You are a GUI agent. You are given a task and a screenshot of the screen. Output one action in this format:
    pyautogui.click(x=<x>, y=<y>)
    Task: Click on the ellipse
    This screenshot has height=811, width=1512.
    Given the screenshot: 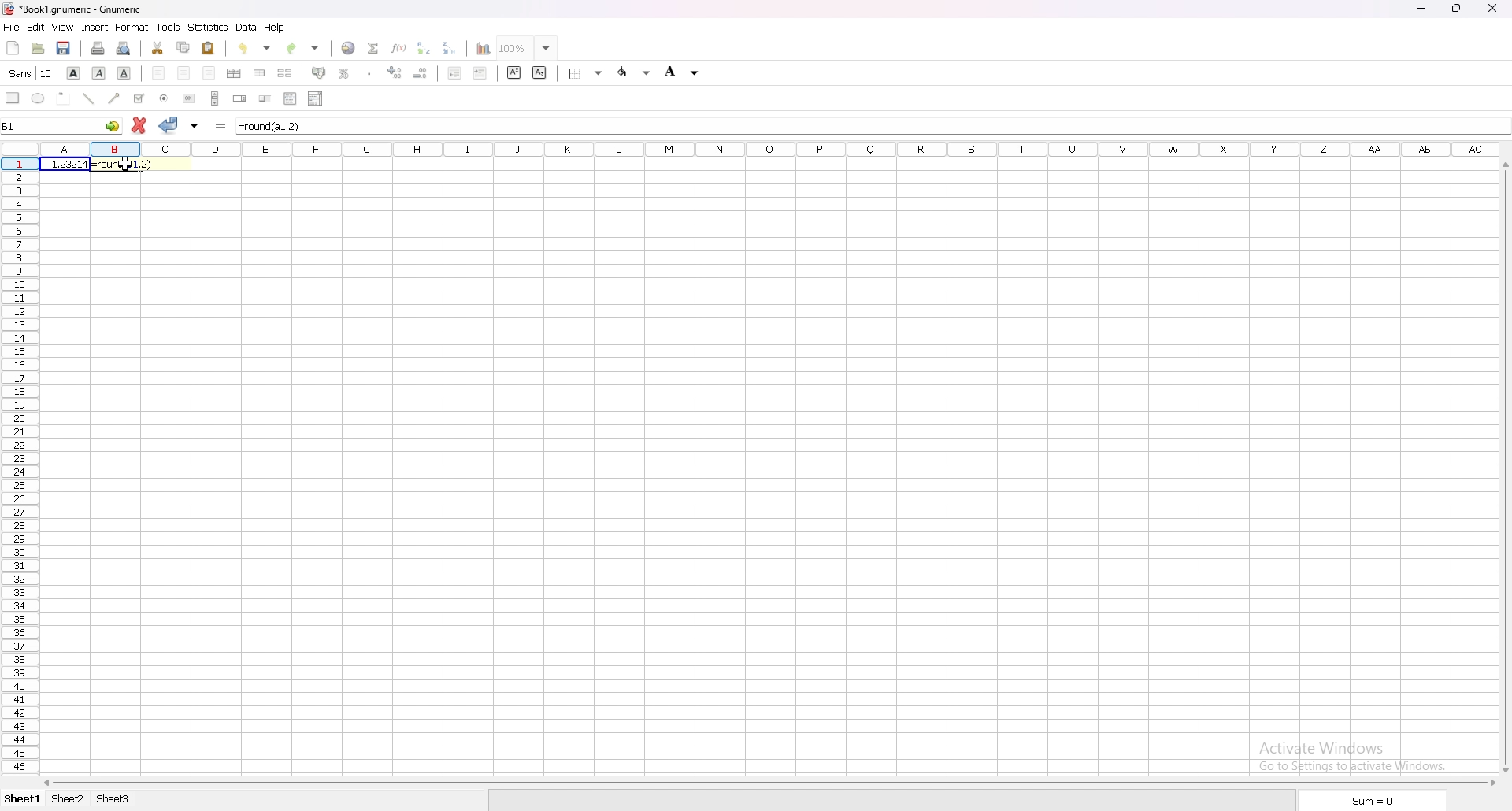 What is the action you would take?
    pyautogui.click(x=38, y=98)
    